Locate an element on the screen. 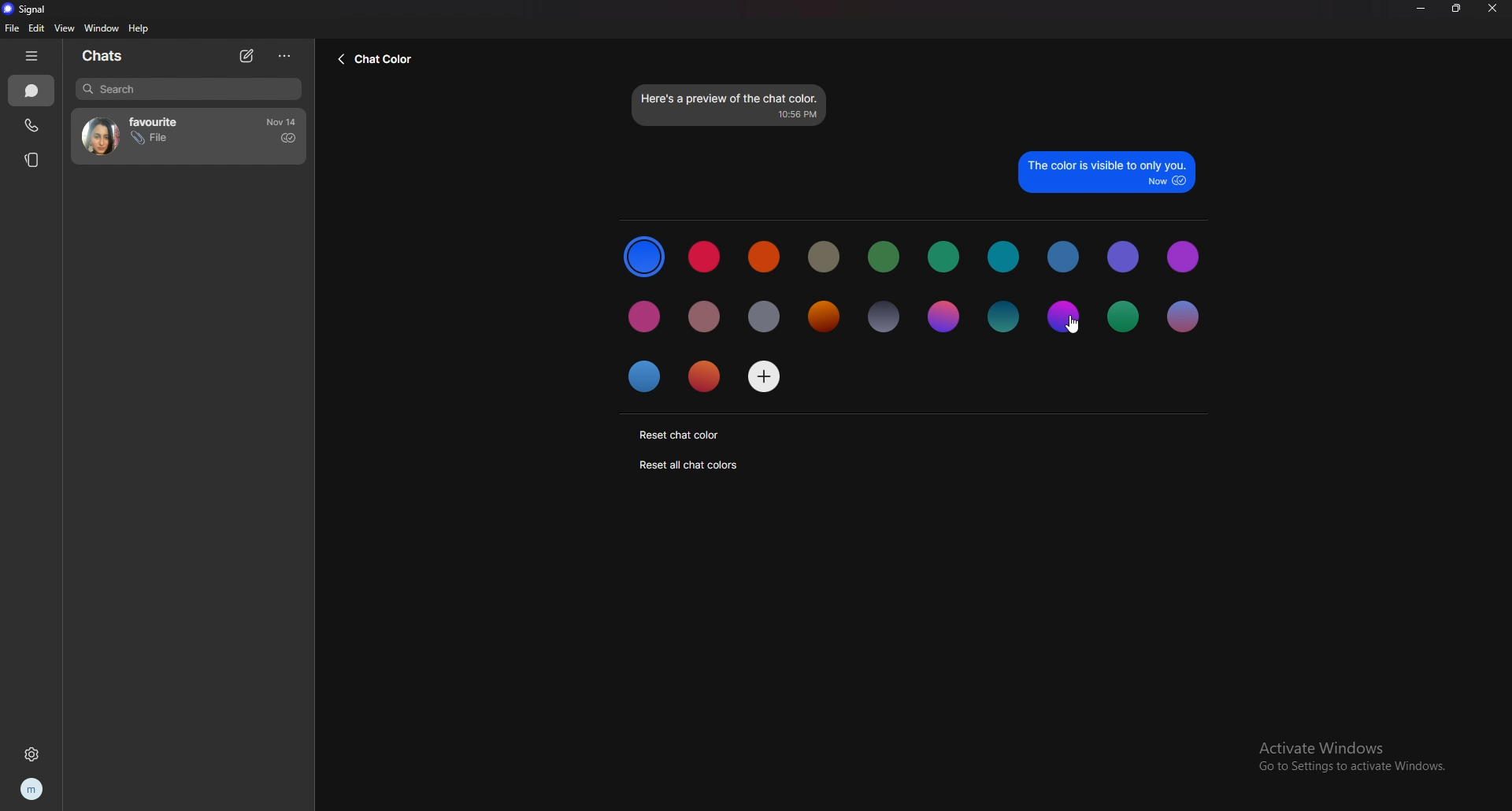 This screenshot has width=1512, height=811. color is located at coordinates (943, 317).